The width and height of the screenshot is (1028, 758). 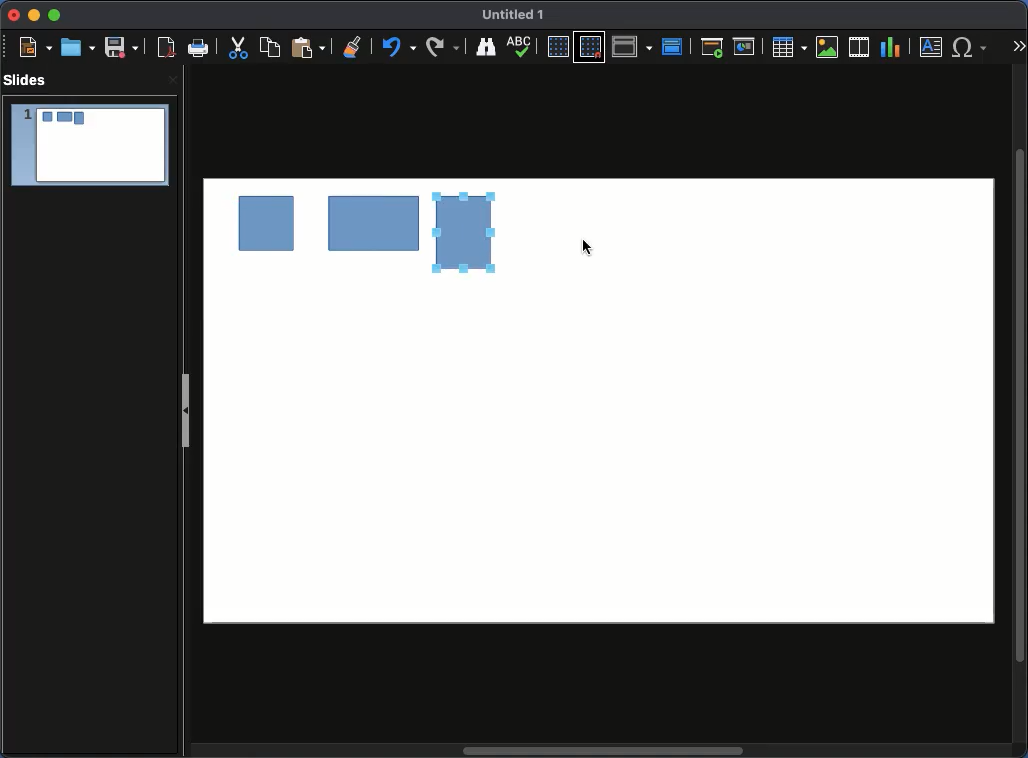 What do you see at coordinates (198, 46) in the screenshot?
I see `Print` at bounding box center [198, 46].